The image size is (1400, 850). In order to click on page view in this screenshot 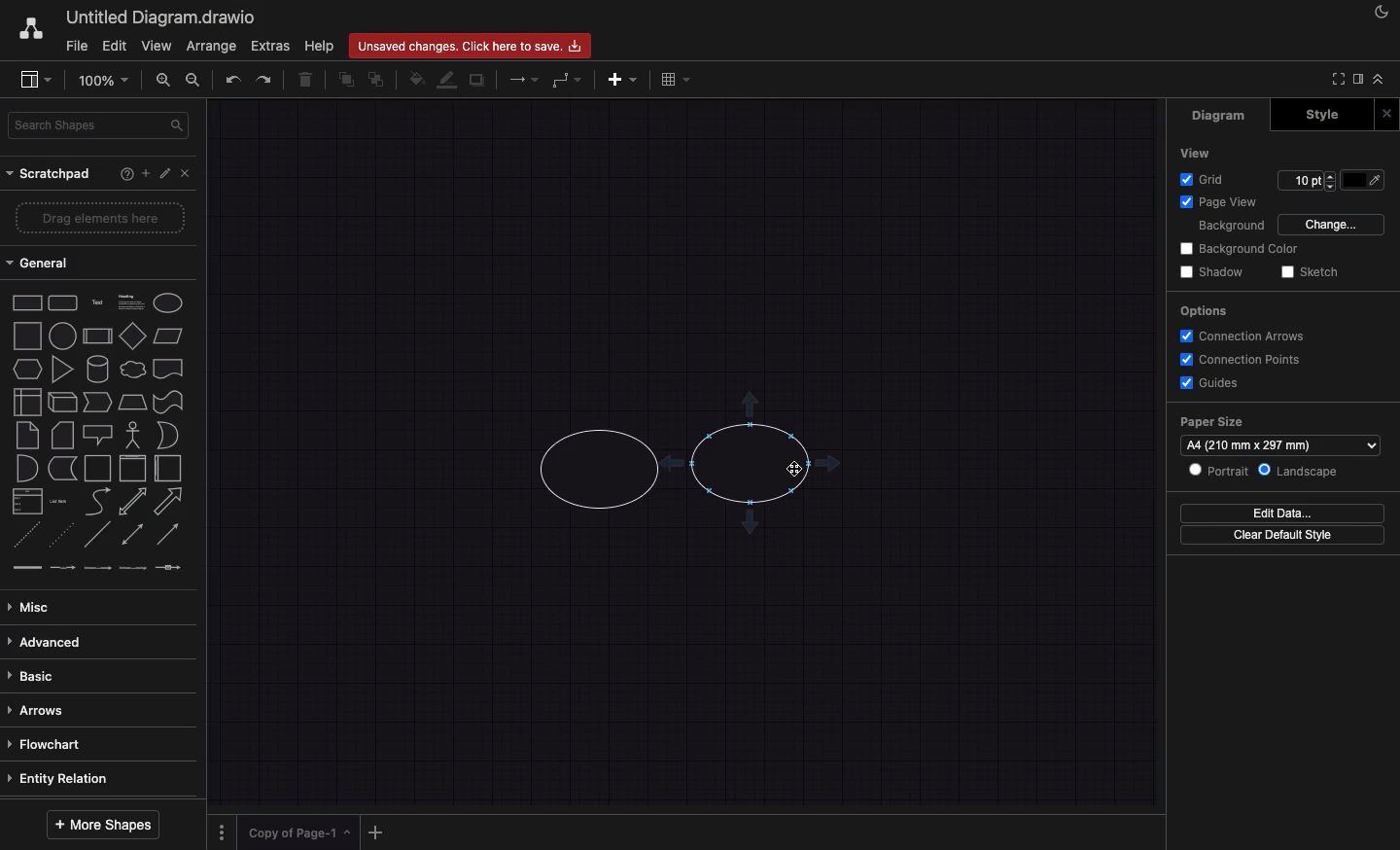, I will do `click(1226, 202)`.